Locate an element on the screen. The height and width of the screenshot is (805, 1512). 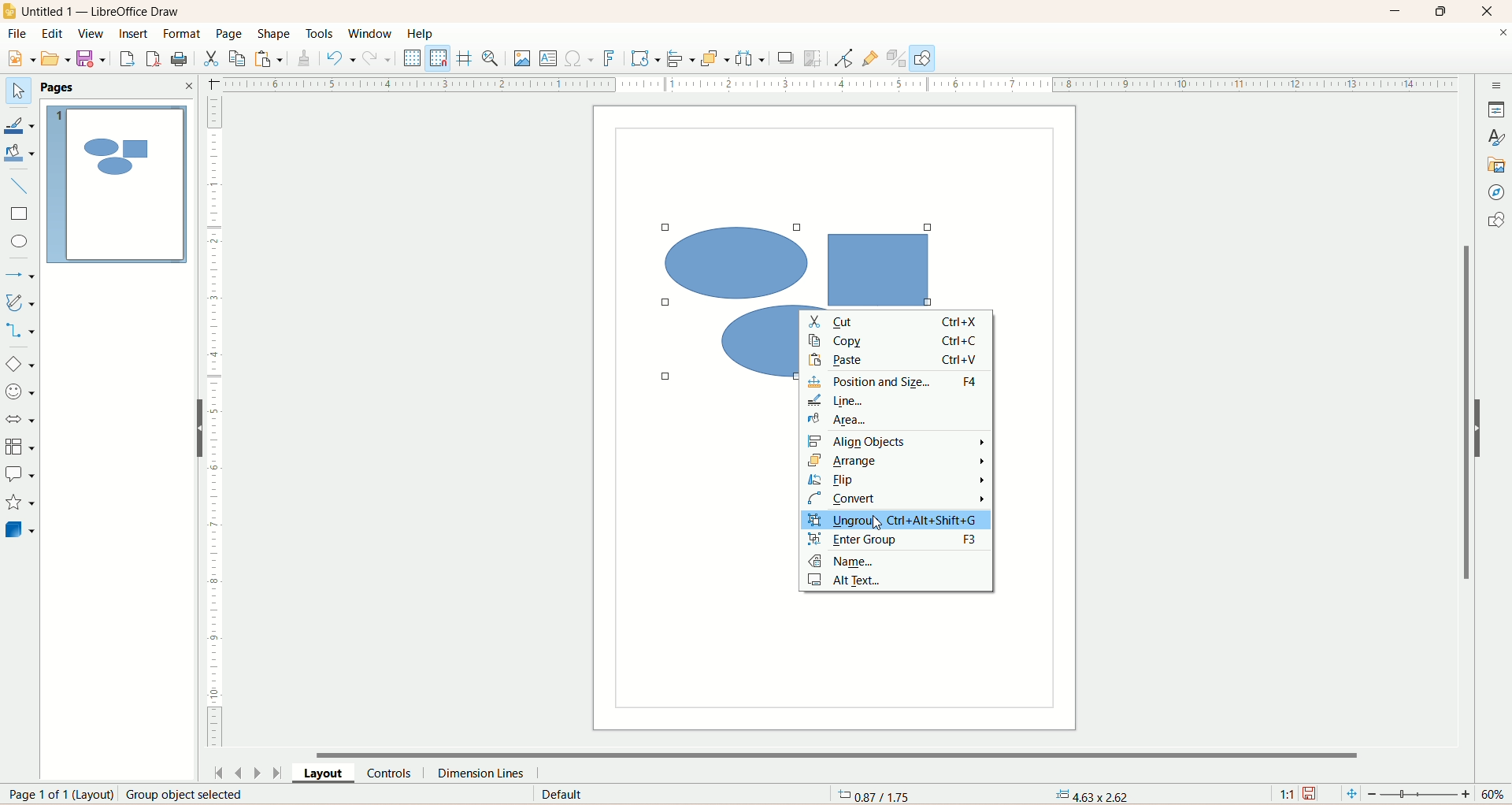
page is located at coordinates (53, 796).